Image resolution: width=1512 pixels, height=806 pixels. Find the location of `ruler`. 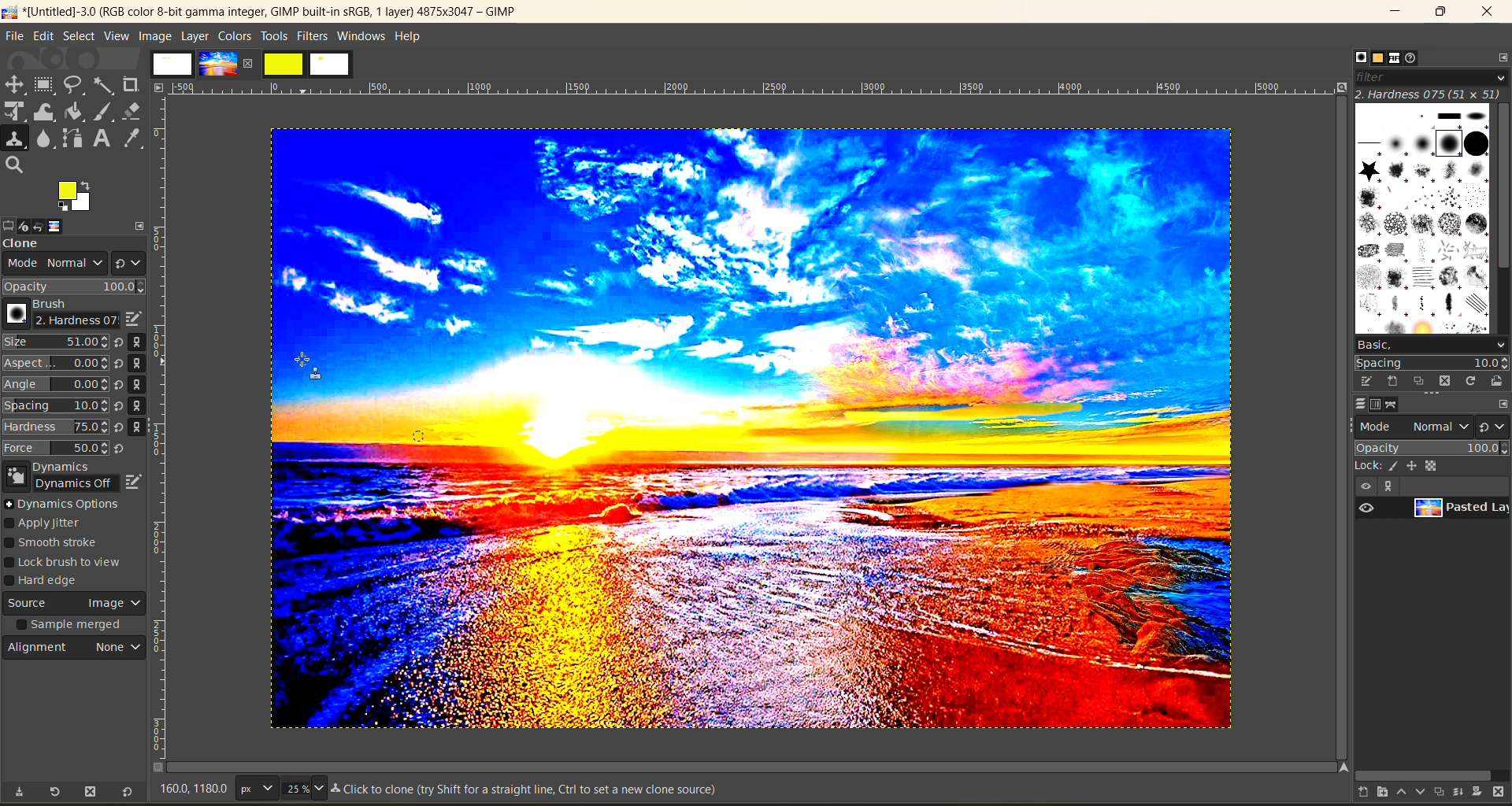

ruler is located at coordinates (165, 431).